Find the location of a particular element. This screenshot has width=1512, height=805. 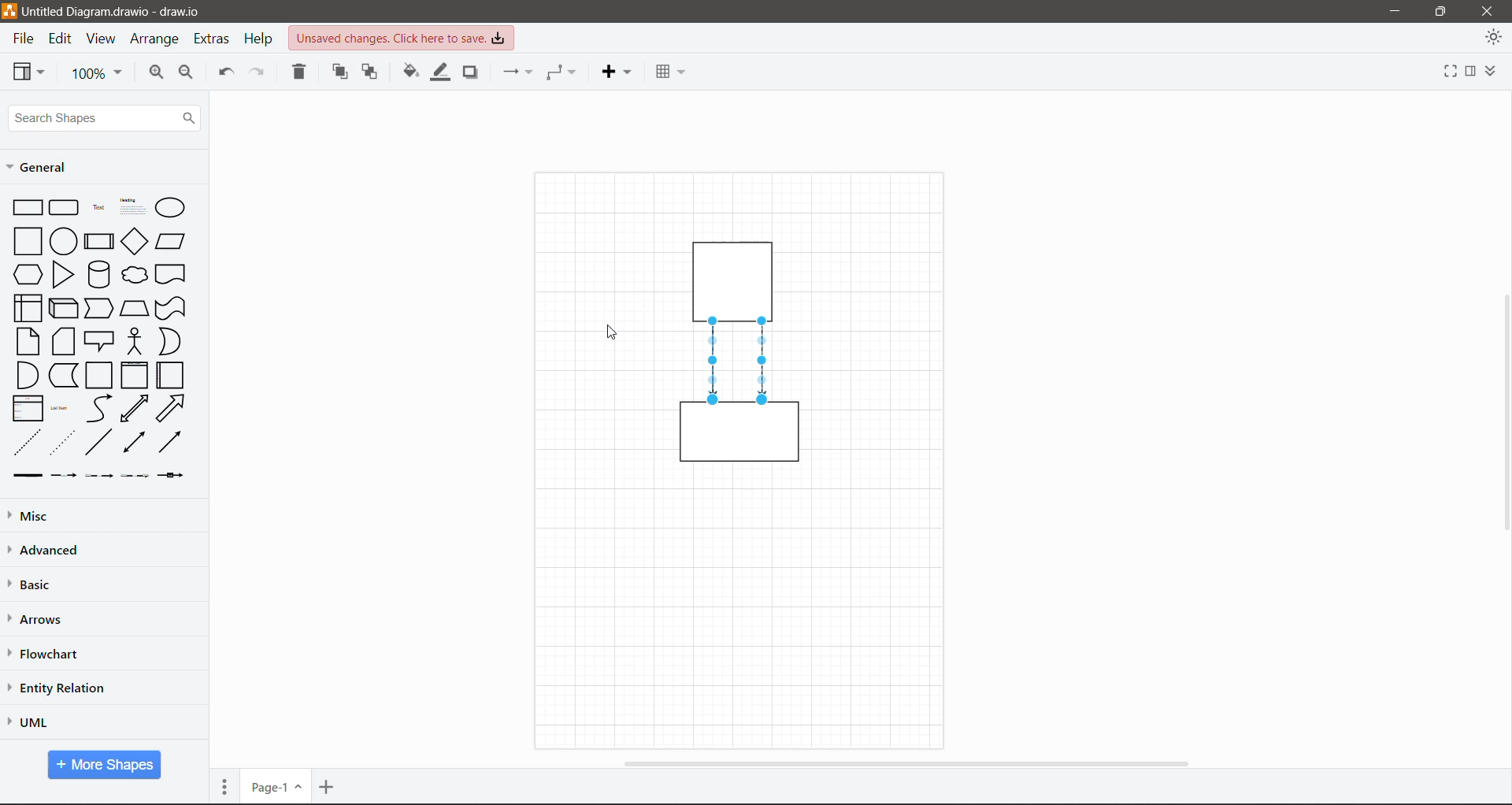

Extras is located at coordinates (213, 39).